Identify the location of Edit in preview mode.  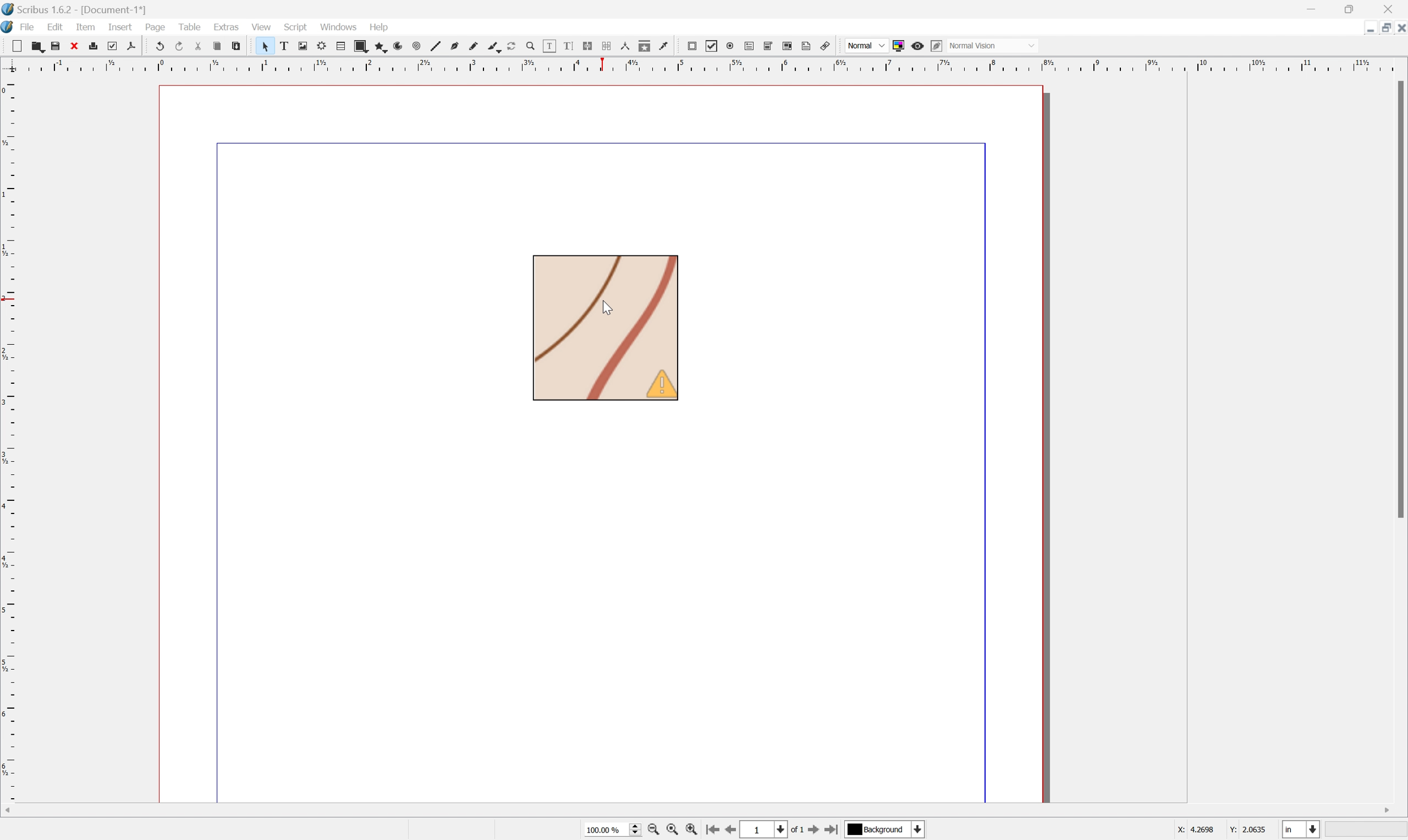
(939, 45).